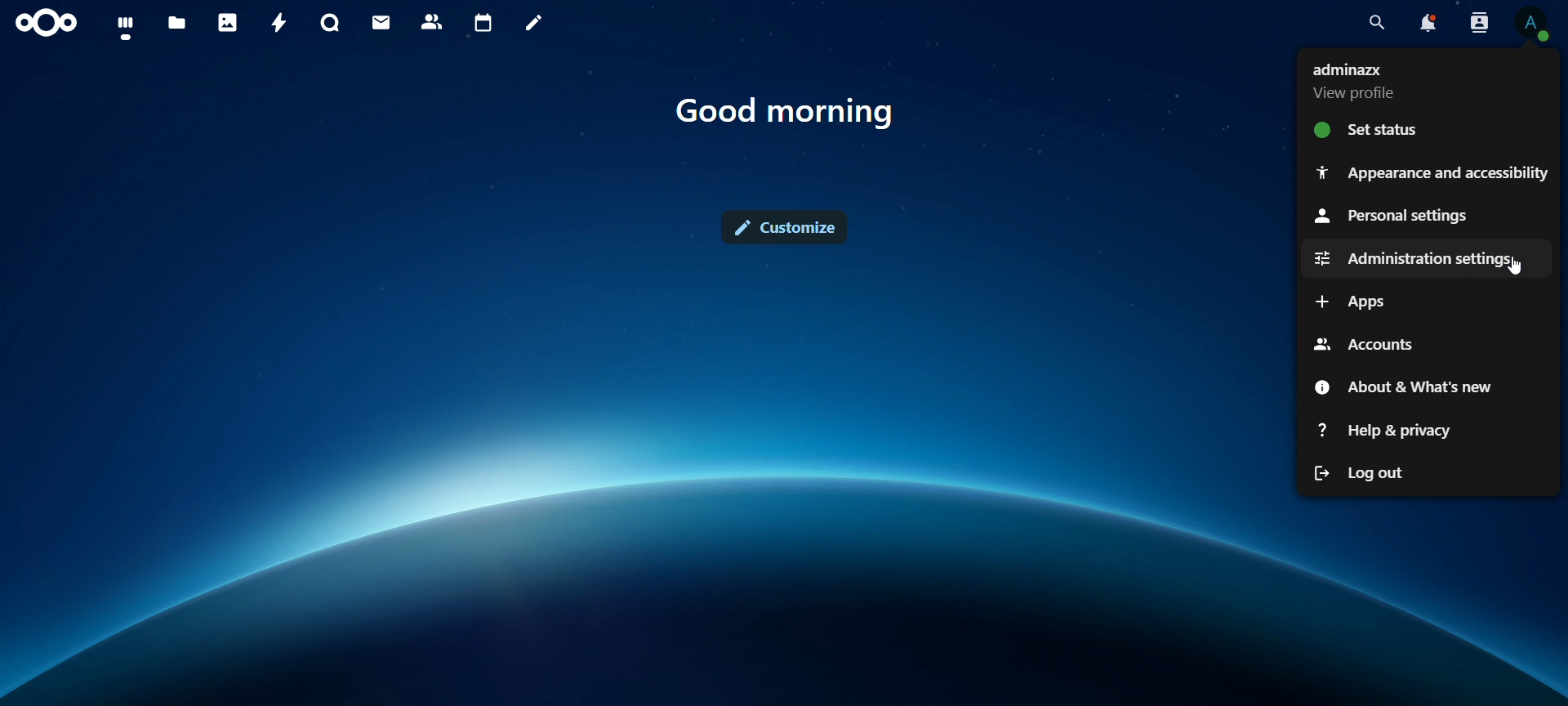 The image size is (1568, 706). I want to click on search, so click(1375, 20).